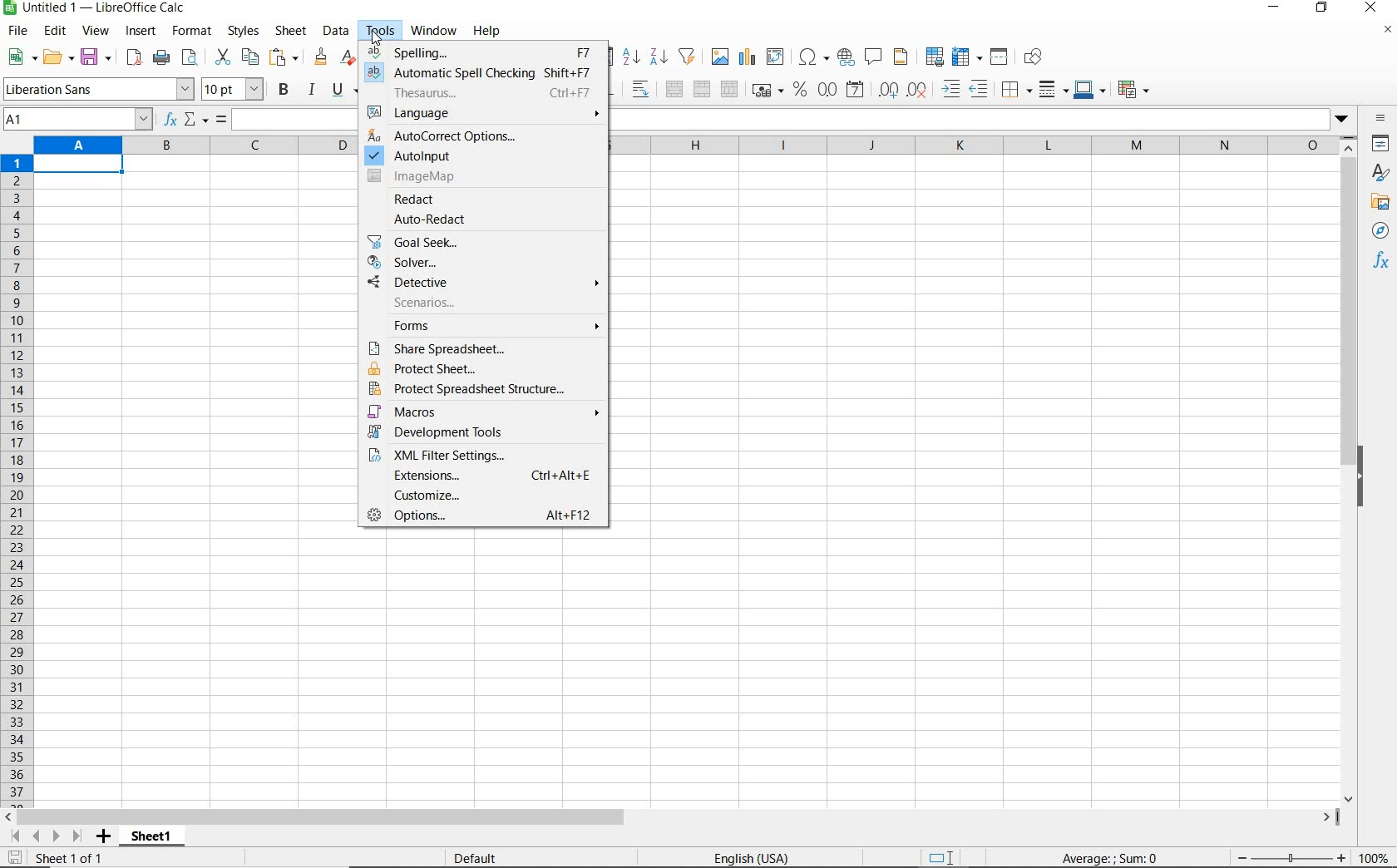 Image resolution: width=1397 pixels, height=868 pixels. I want to click on default, so click(480, 858).